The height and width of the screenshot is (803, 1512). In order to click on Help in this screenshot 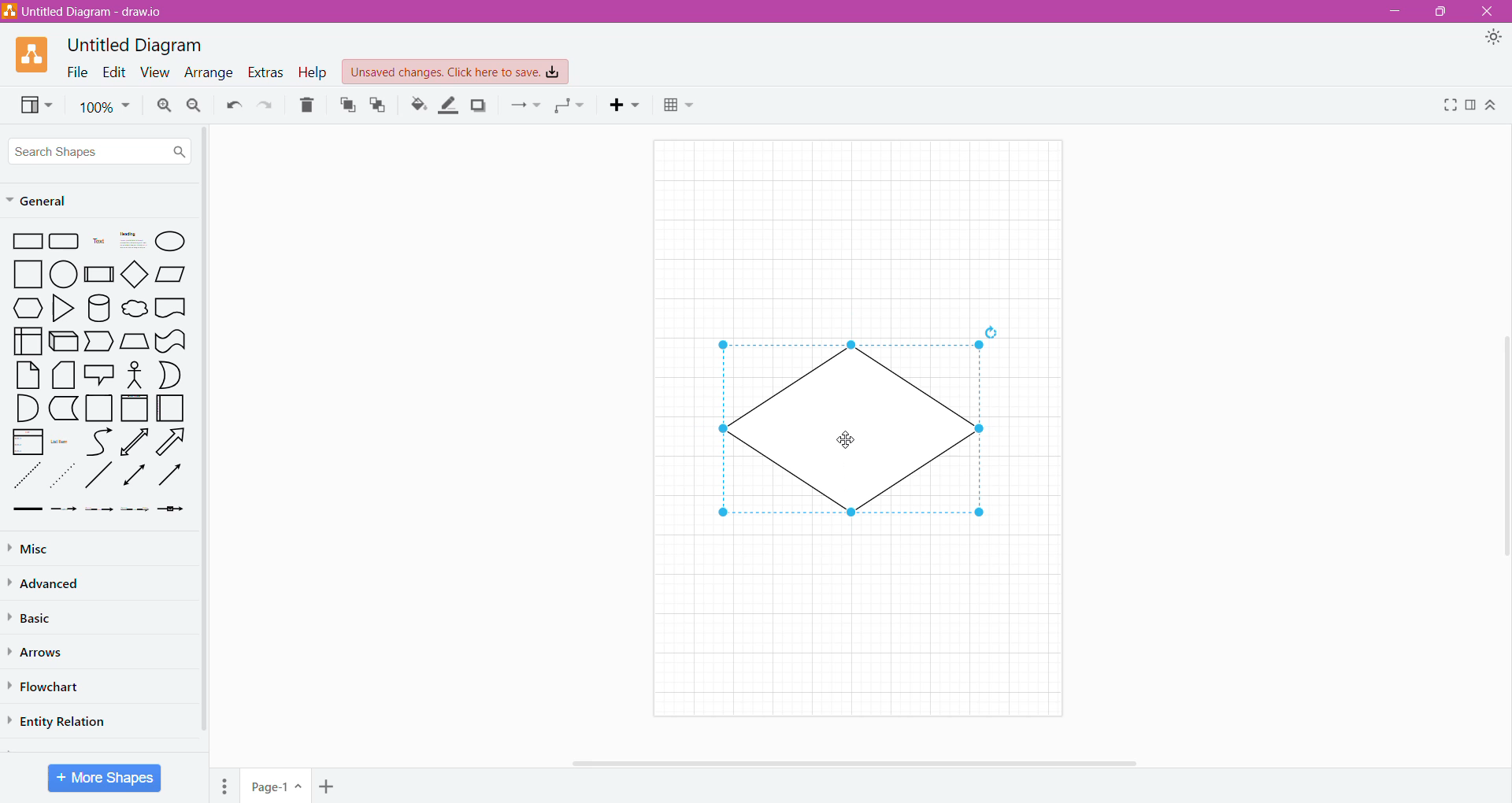, I will do `click(313, 73)`.